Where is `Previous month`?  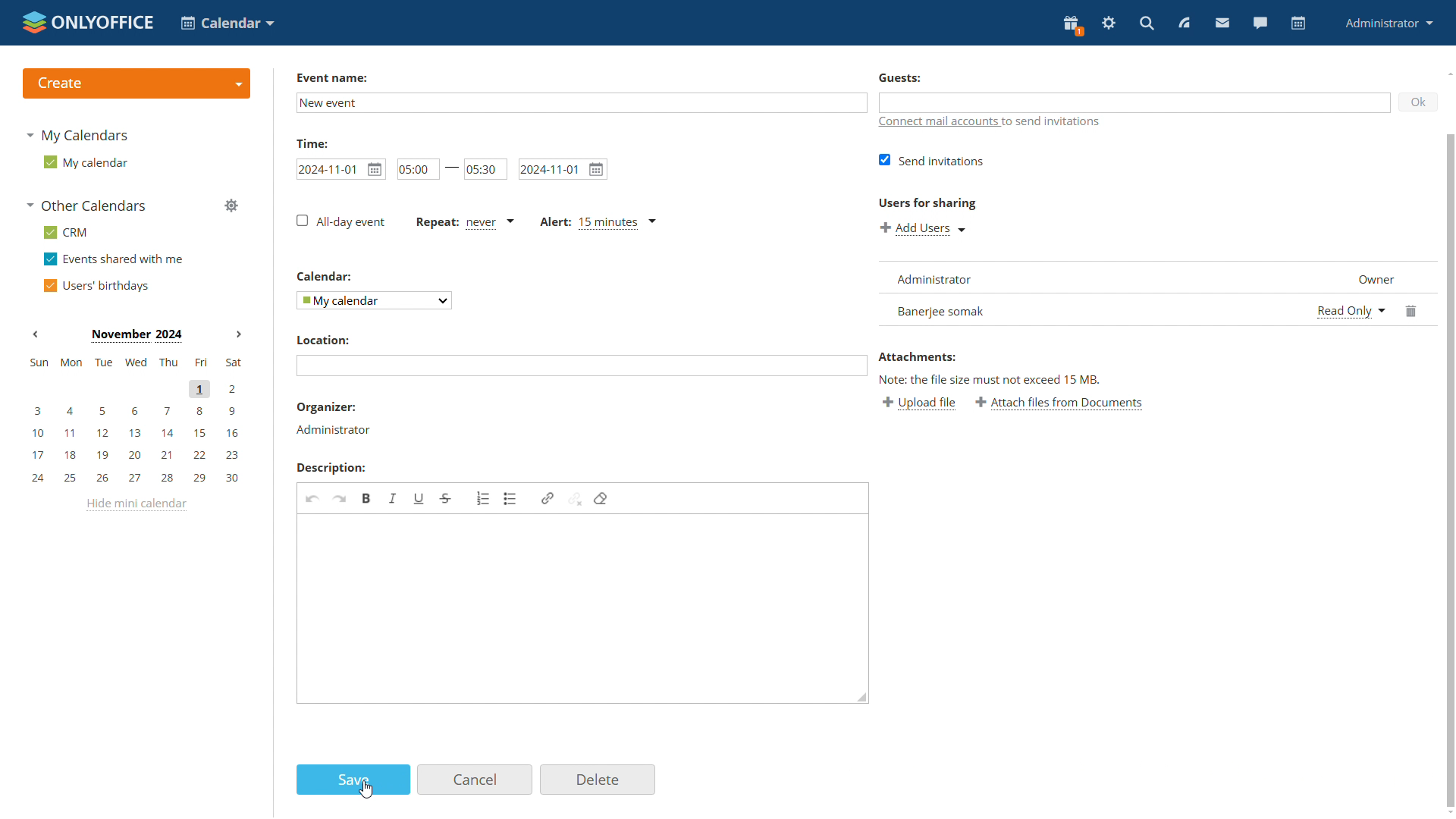 Previous month is located at coordinates (36, 334).